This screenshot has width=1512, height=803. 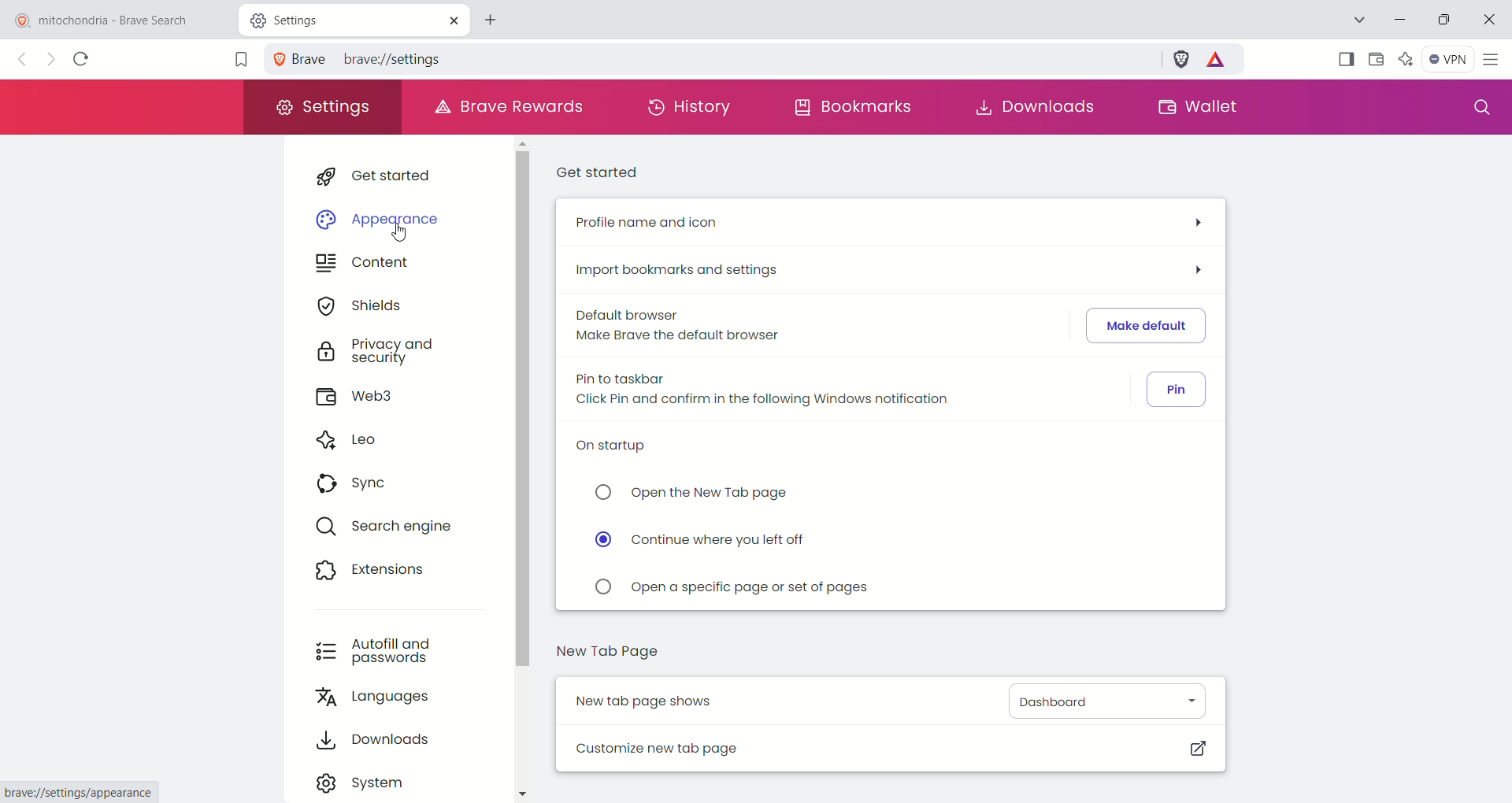 I want to click on close, so click(x=452, y=20).